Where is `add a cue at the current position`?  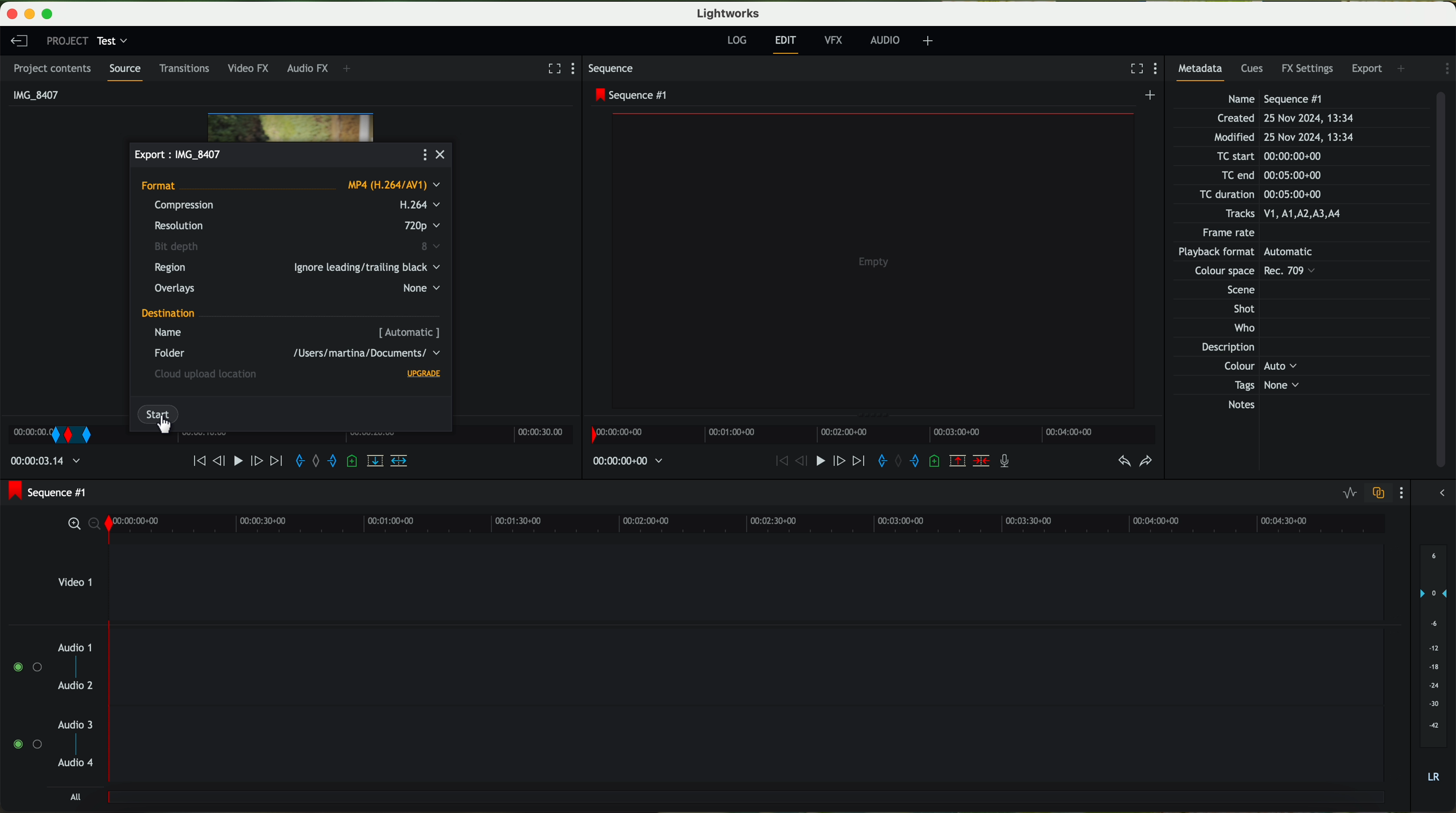 add a cue at the current position is located at coordinates (353, 462).